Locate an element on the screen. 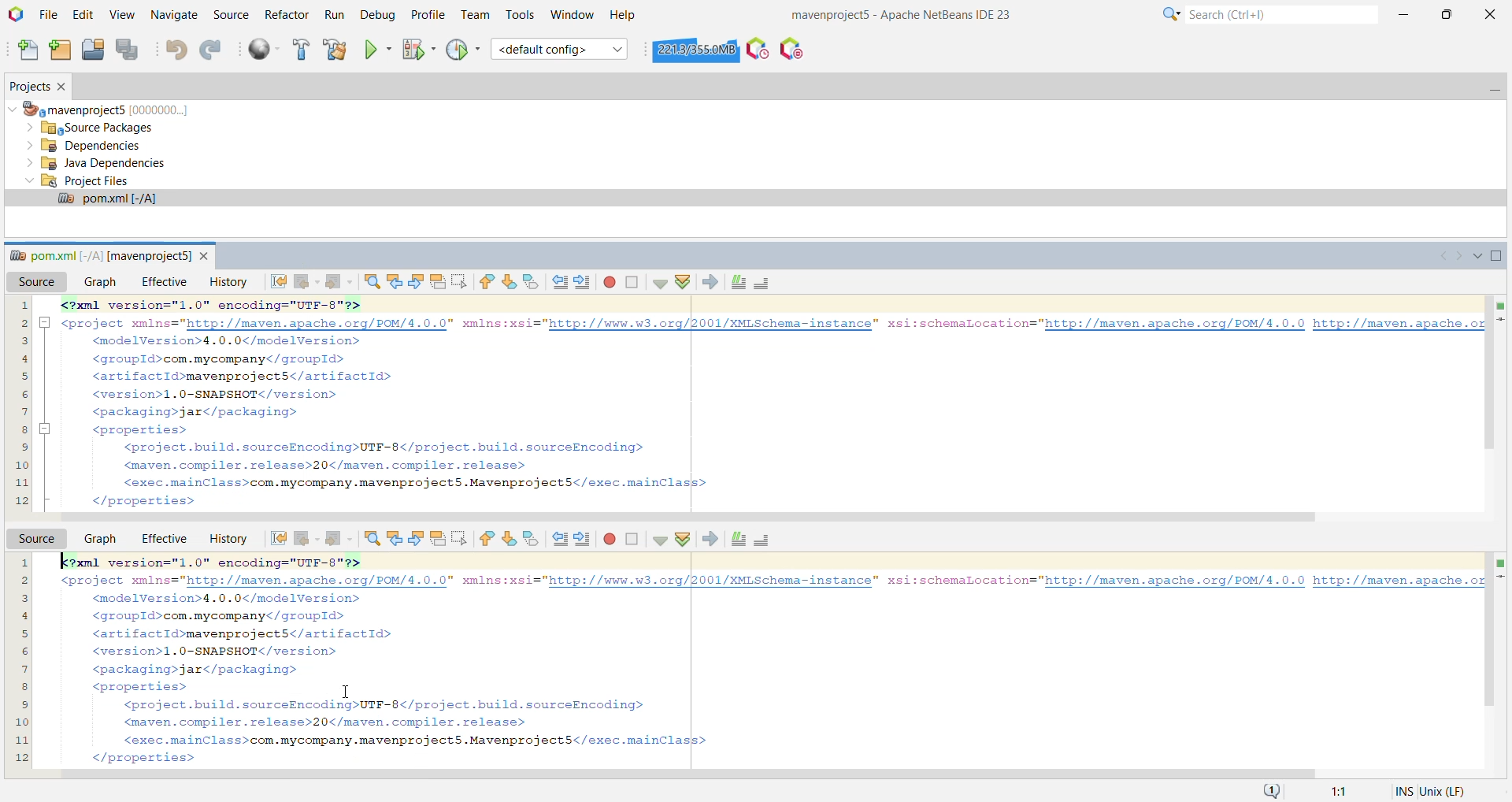  6 is located at coordinates (20, 392).